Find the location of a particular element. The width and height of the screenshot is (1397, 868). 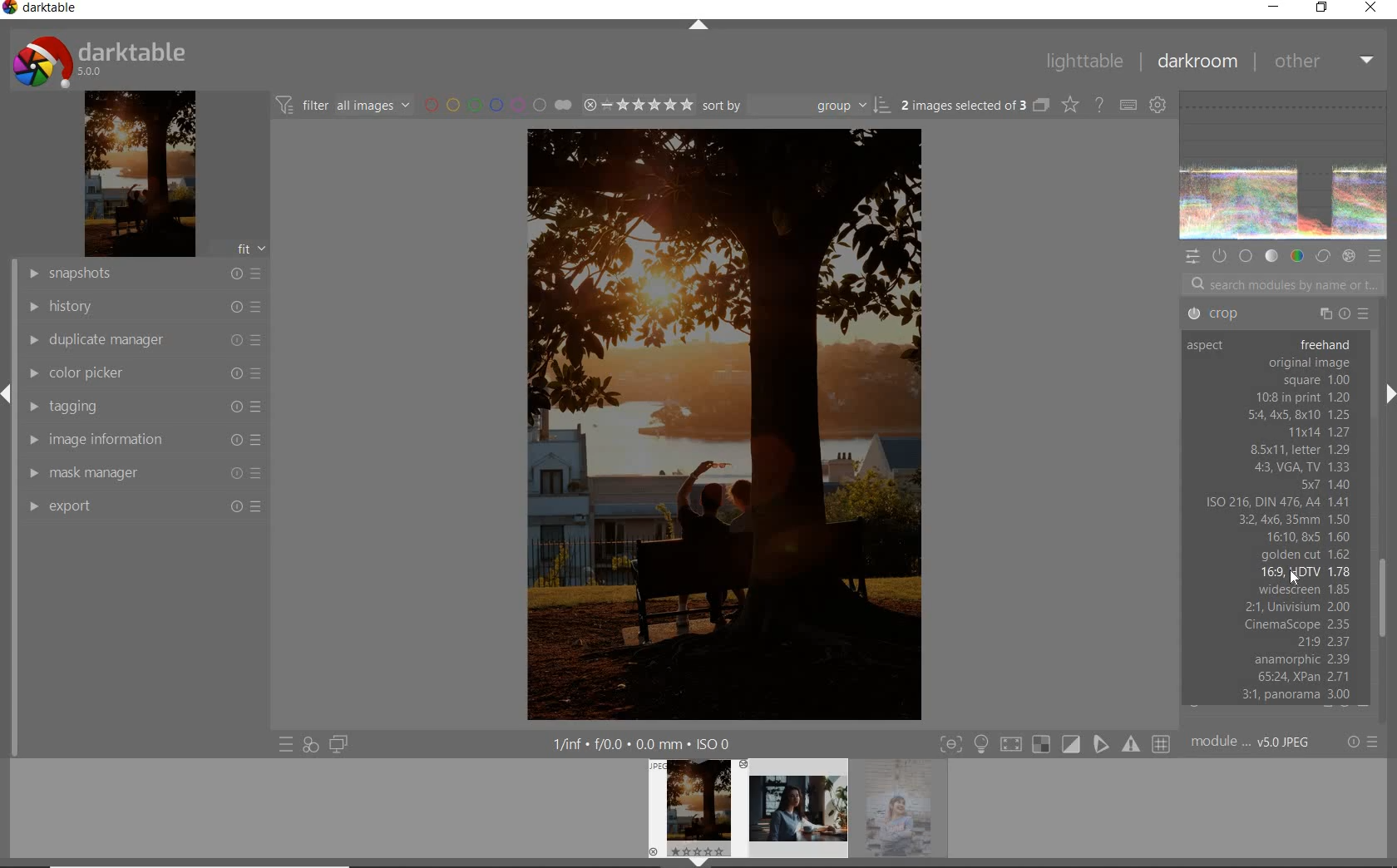

change type of overlay is located at coordinates (1069, 104).